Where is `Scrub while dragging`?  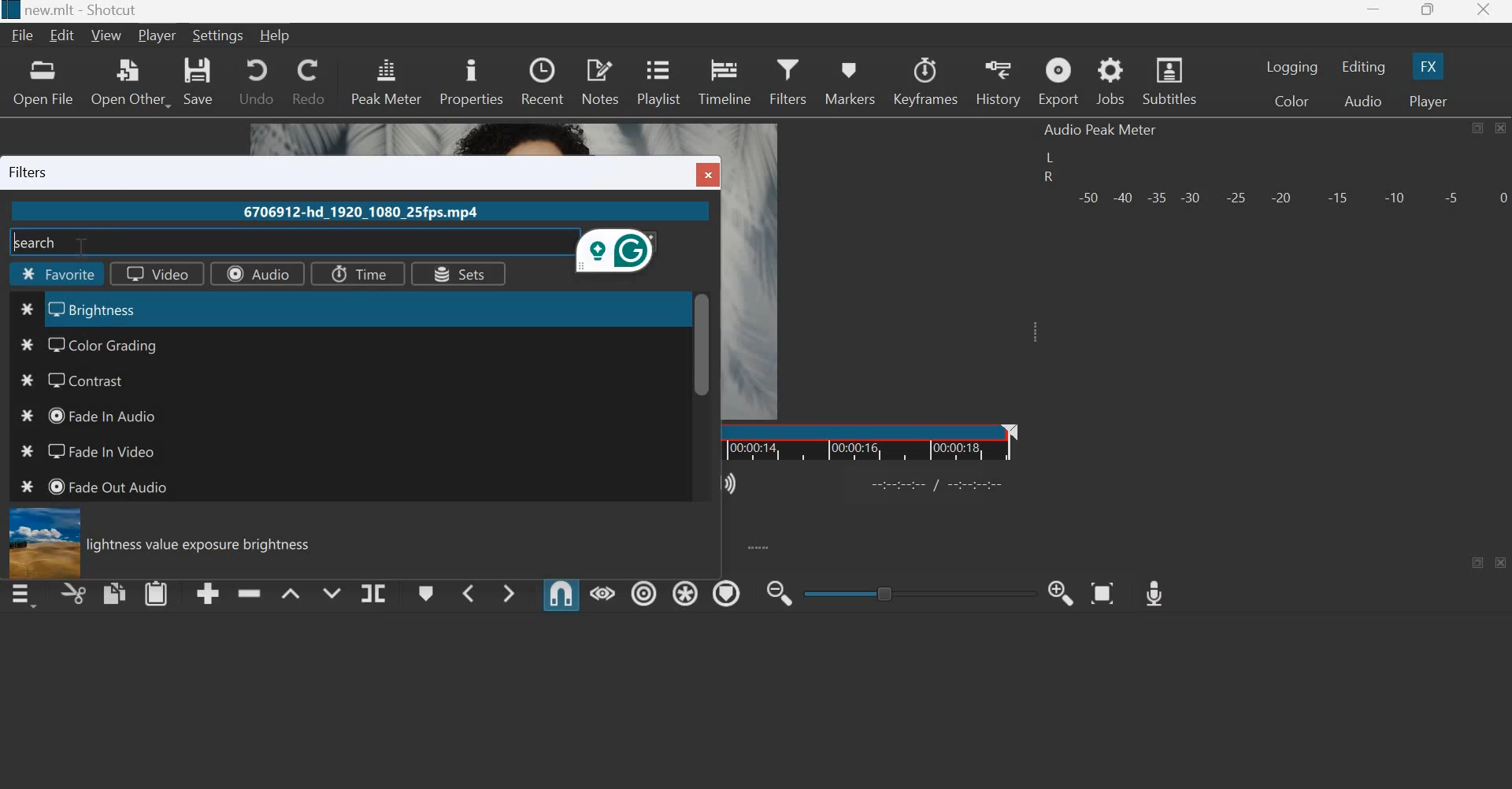 Scrub while dragging is located at coordinates (603, 593).